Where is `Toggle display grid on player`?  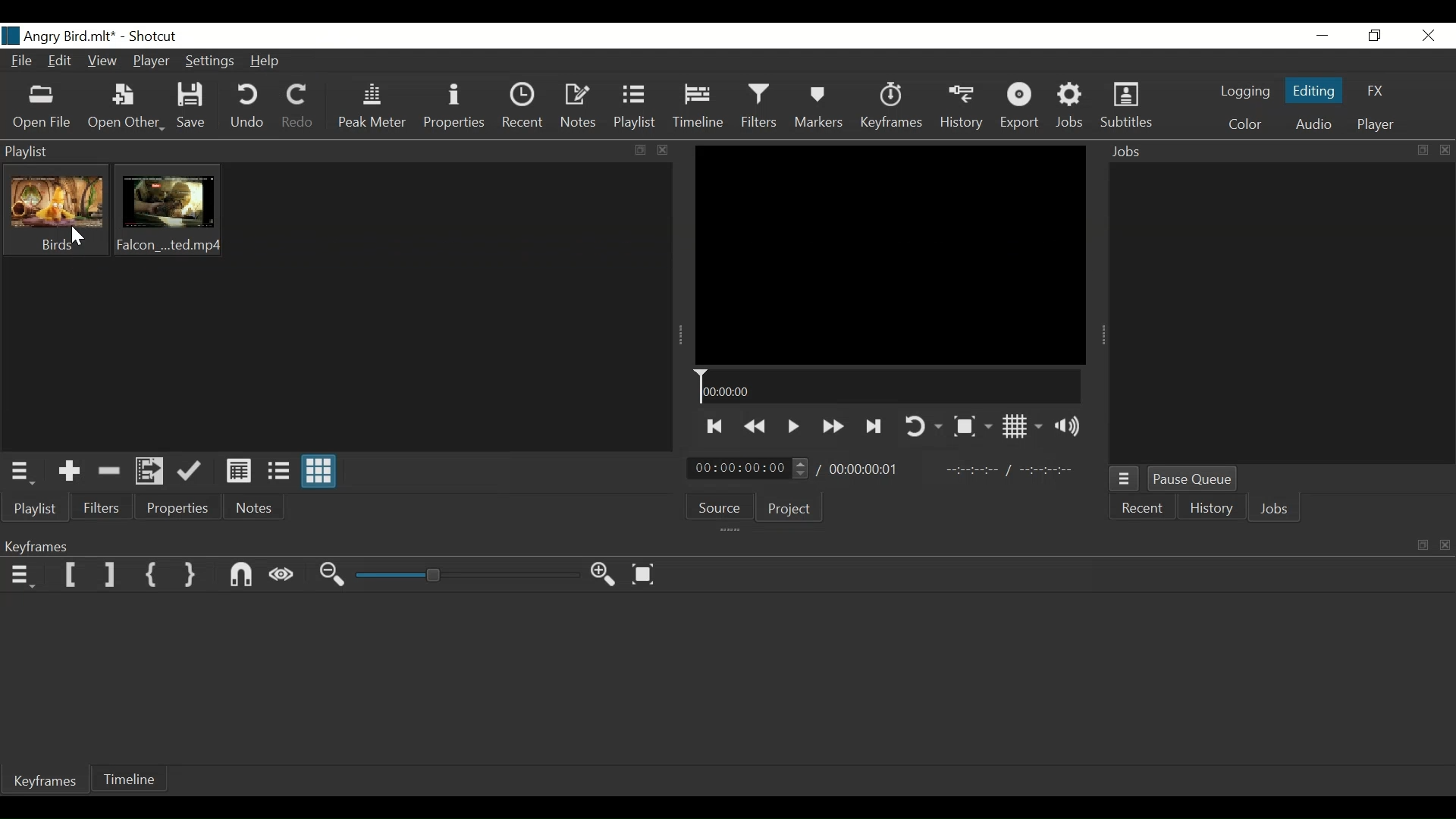 Toggle display grid on player is located at coordinates (1025, 426).